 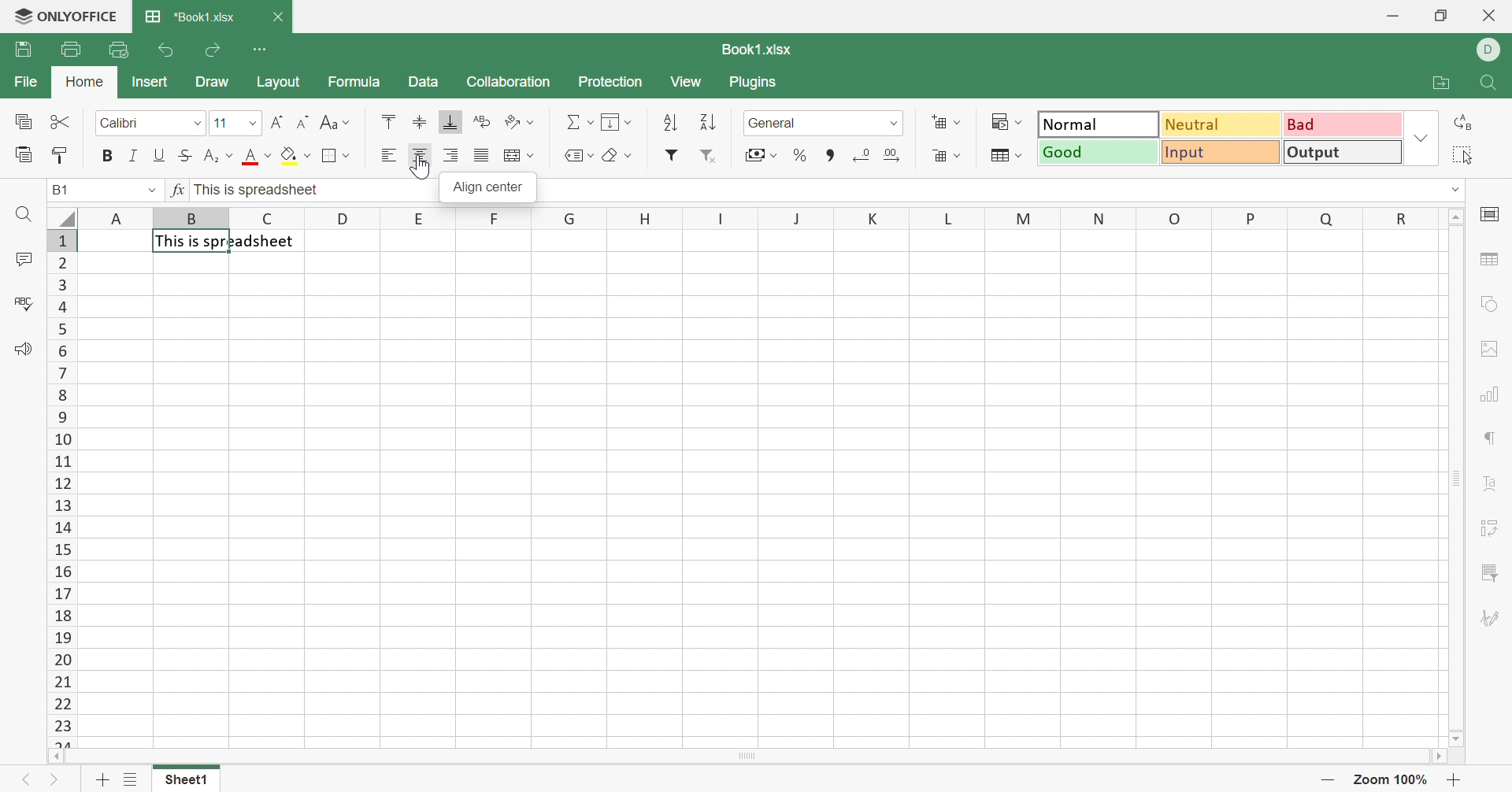 I want to click on Drop Down, so click(x=1422, y=137).